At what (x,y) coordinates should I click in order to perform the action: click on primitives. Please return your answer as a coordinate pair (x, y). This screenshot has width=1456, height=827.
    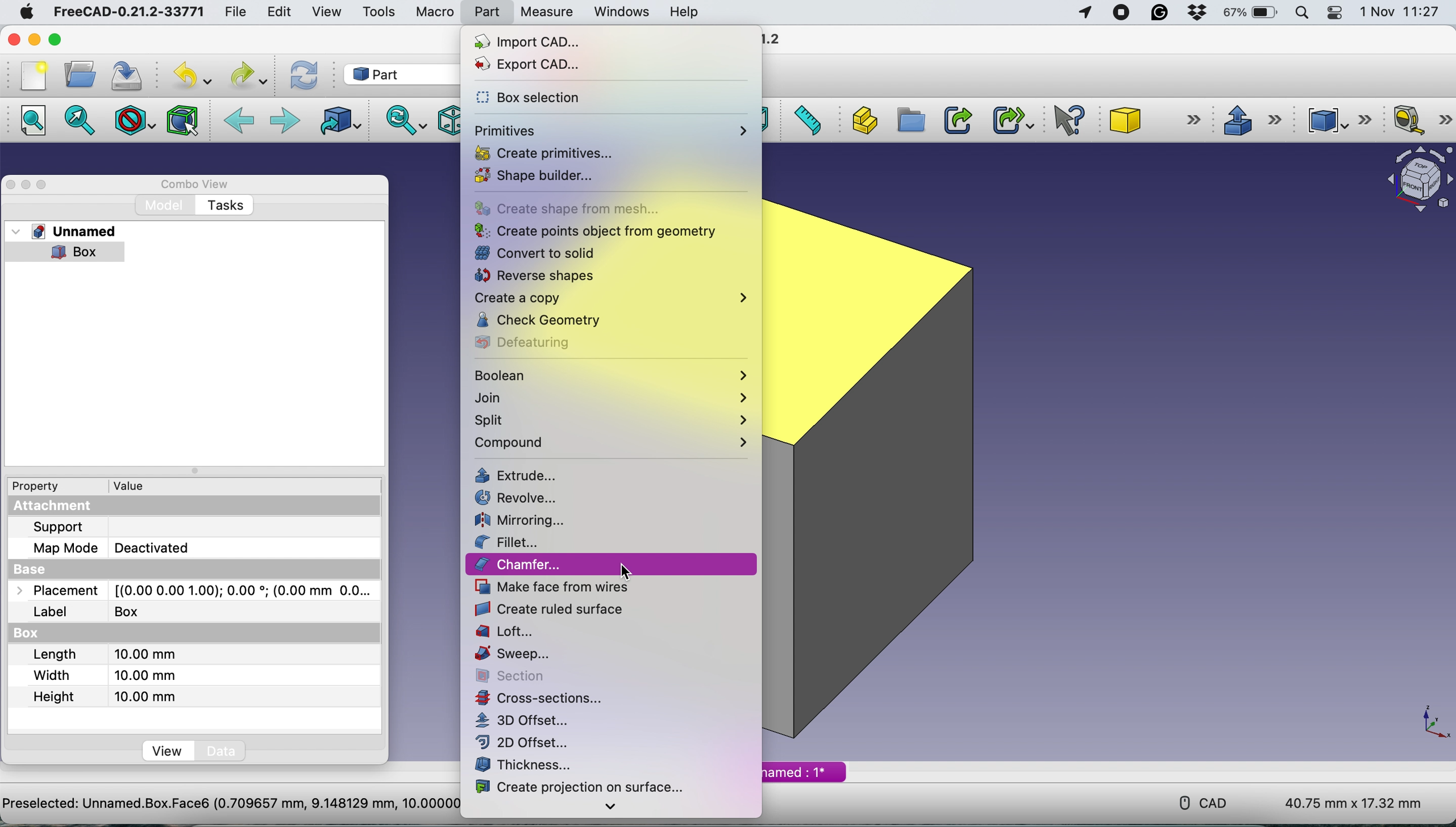
    Looking at the image, I should click on (614, 131).